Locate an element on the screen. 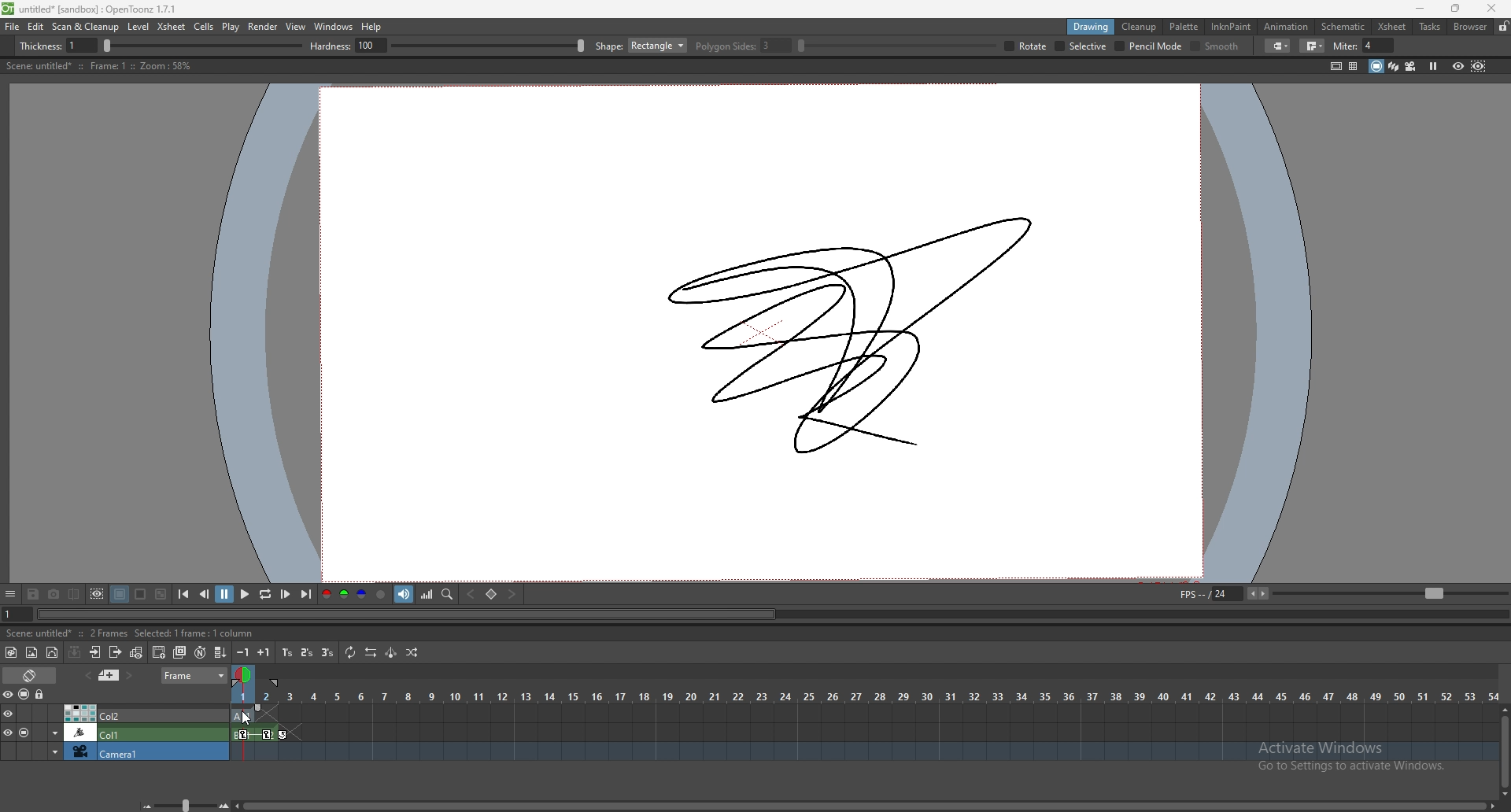  autofill cells is located at coordinates (220, 652).